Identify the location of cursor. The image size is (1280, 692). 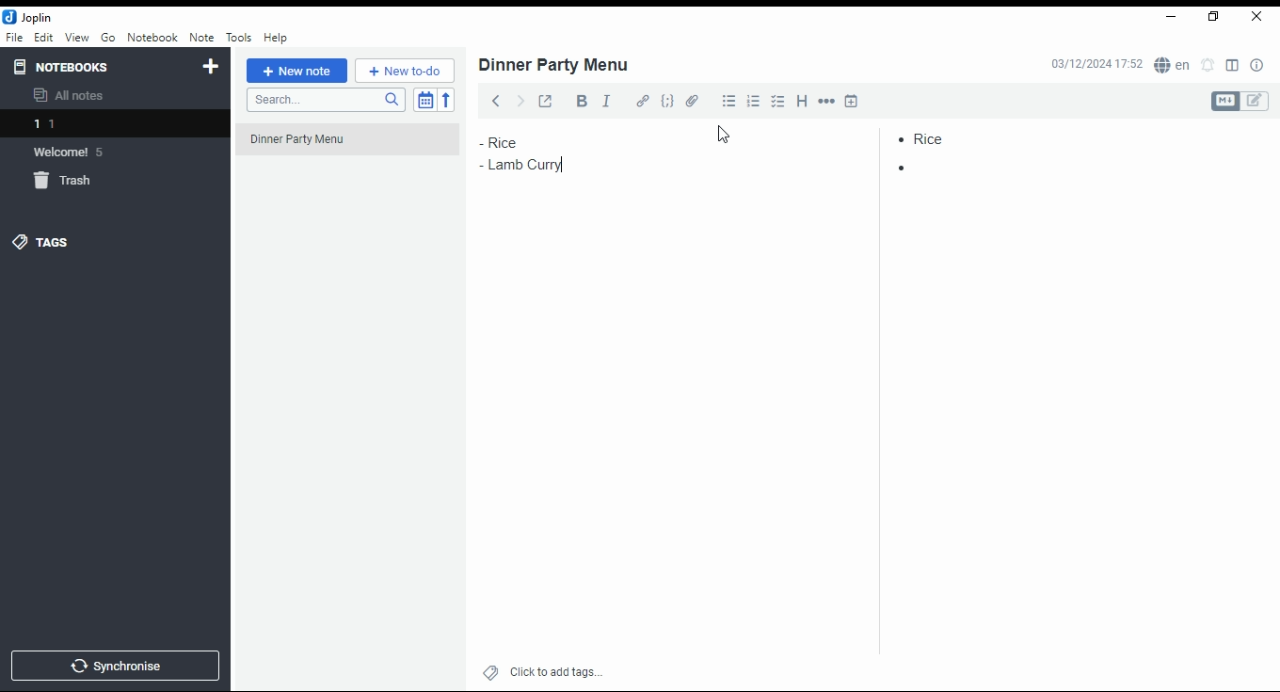
(726, 136).